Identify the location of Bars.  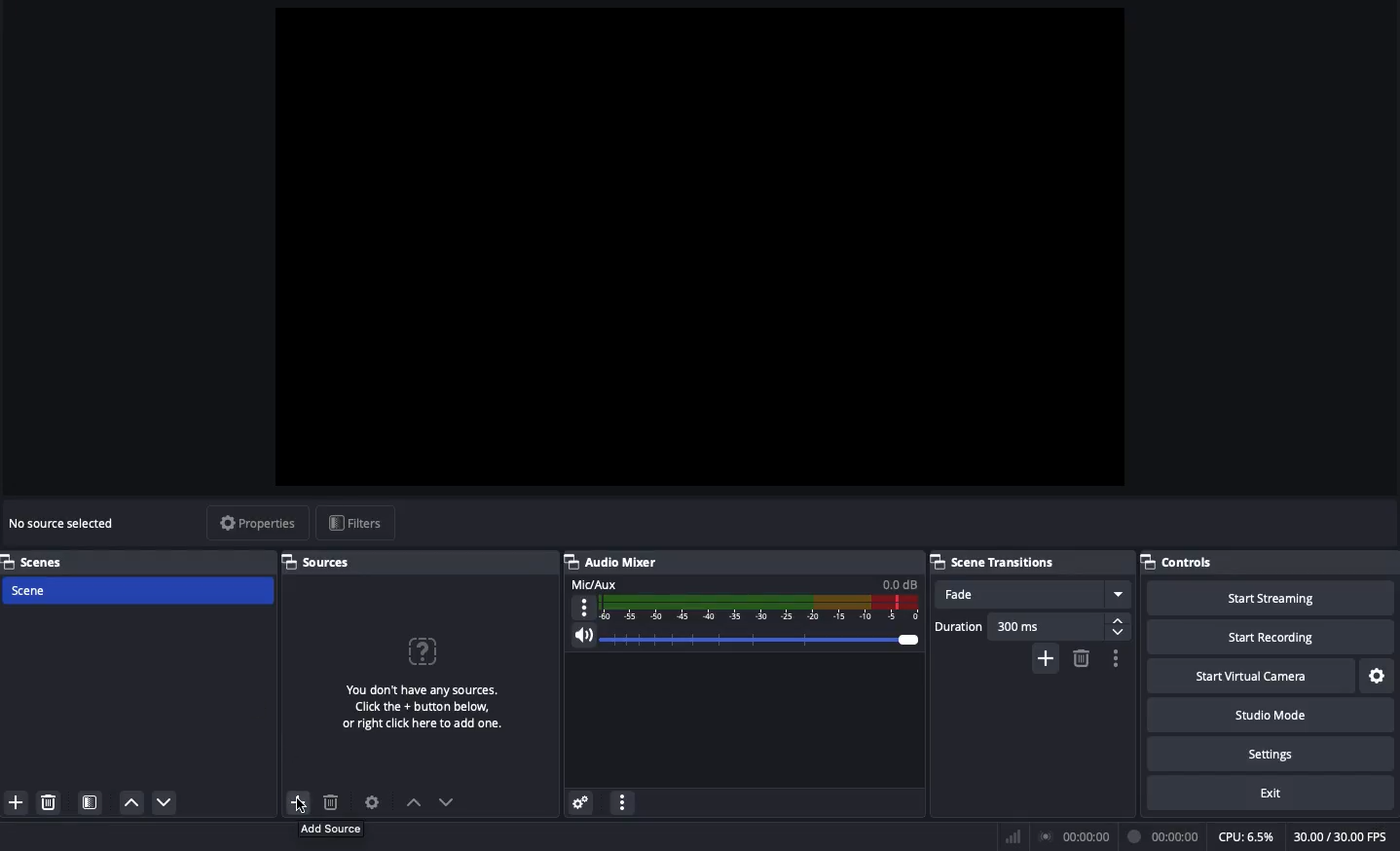
(1010, 837).